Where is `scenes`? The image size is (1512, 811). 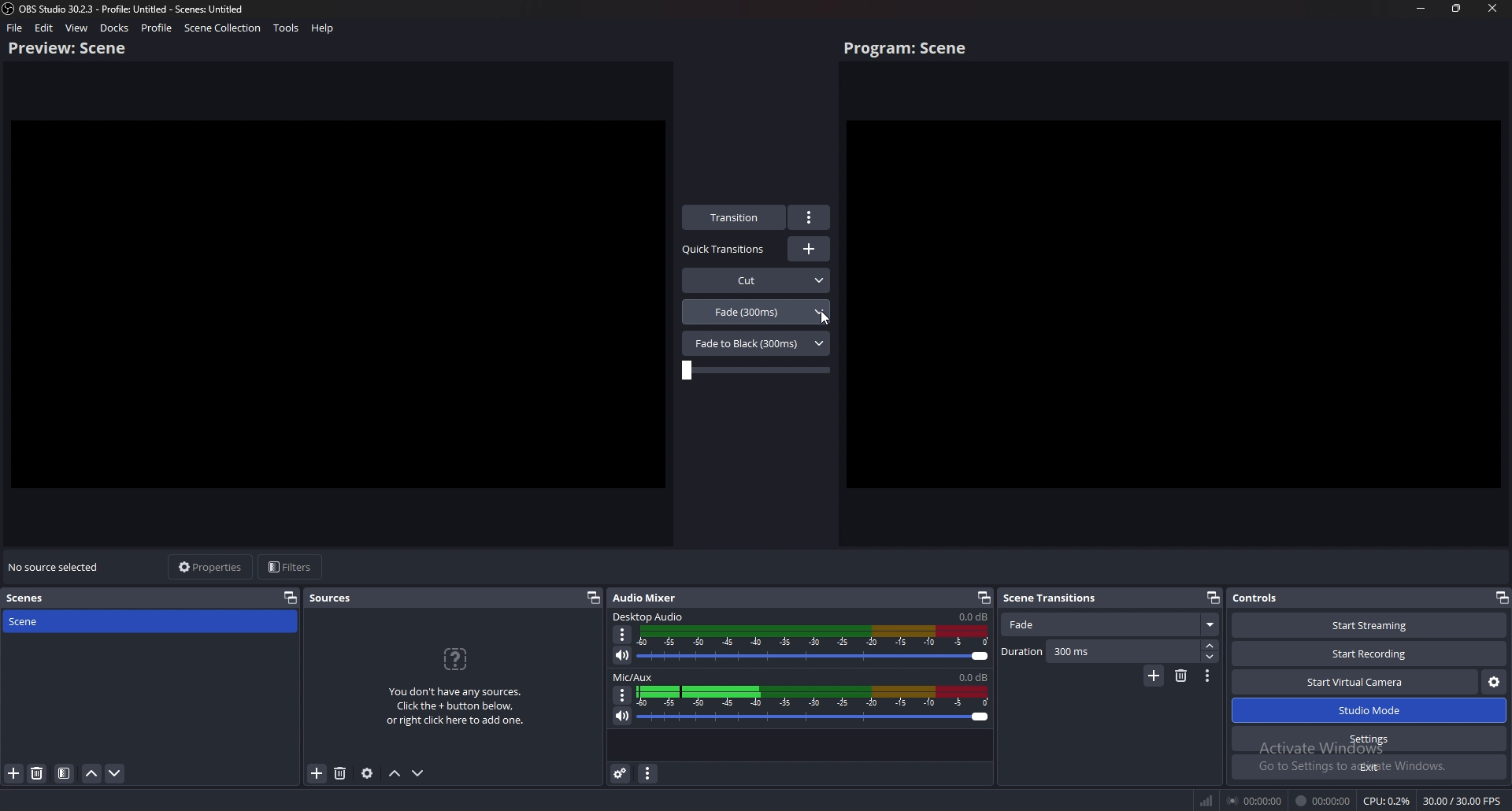 scenes is located at coordinates (29, 598).